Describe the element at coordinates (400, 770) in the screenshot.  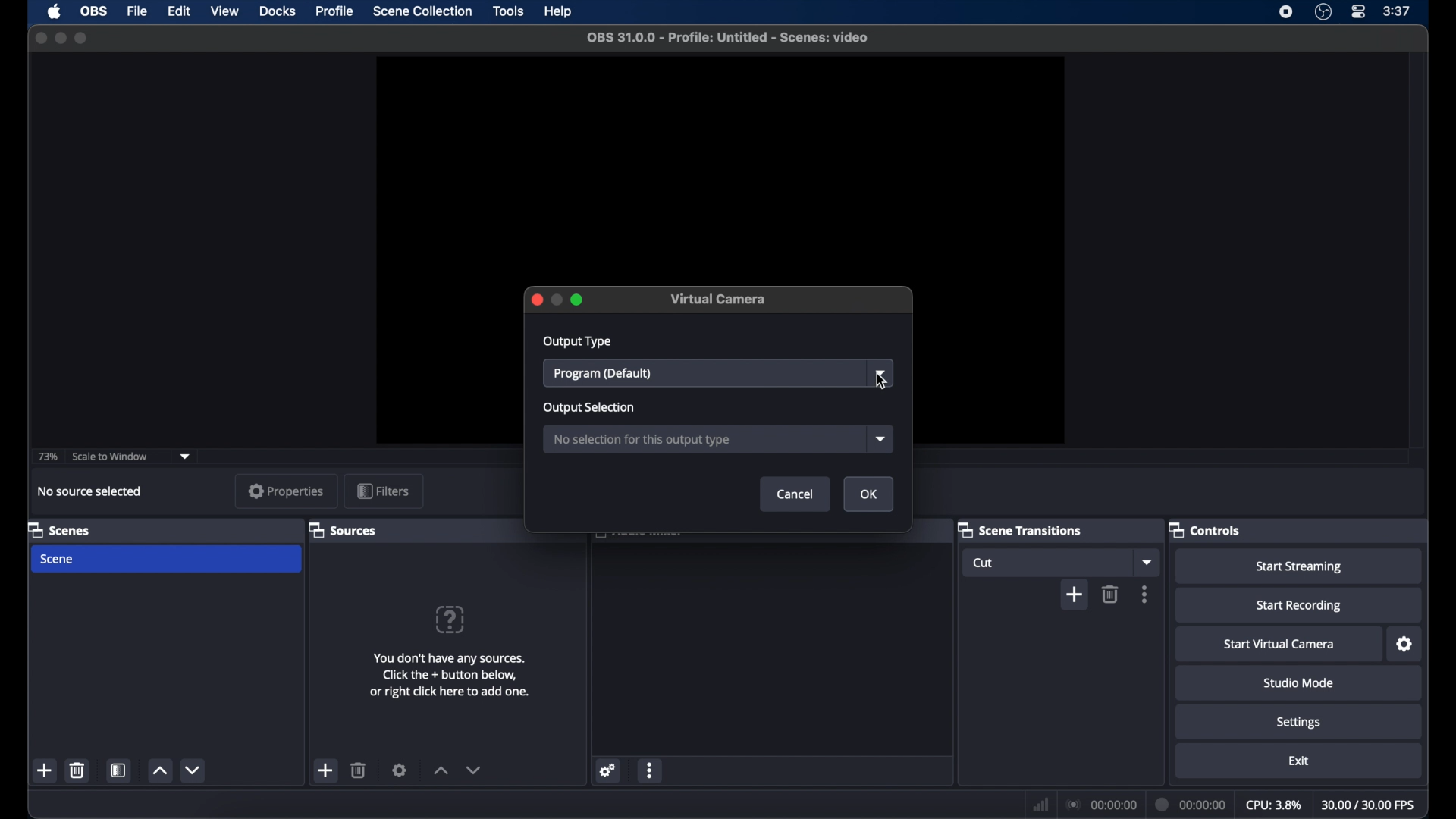
I see `settings` at that location.